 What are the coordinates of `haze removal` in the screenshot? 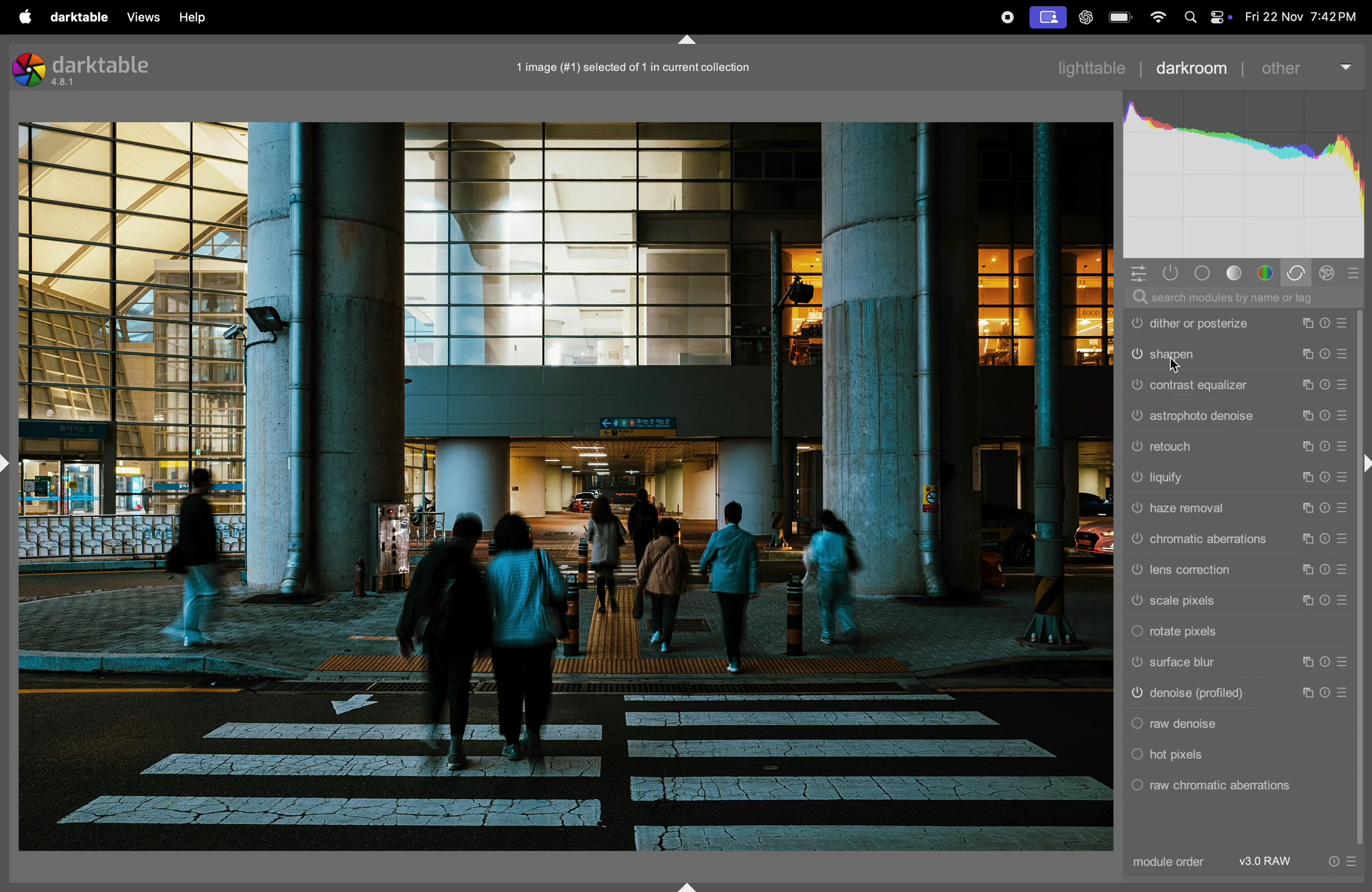 It's located at (1237, 512).